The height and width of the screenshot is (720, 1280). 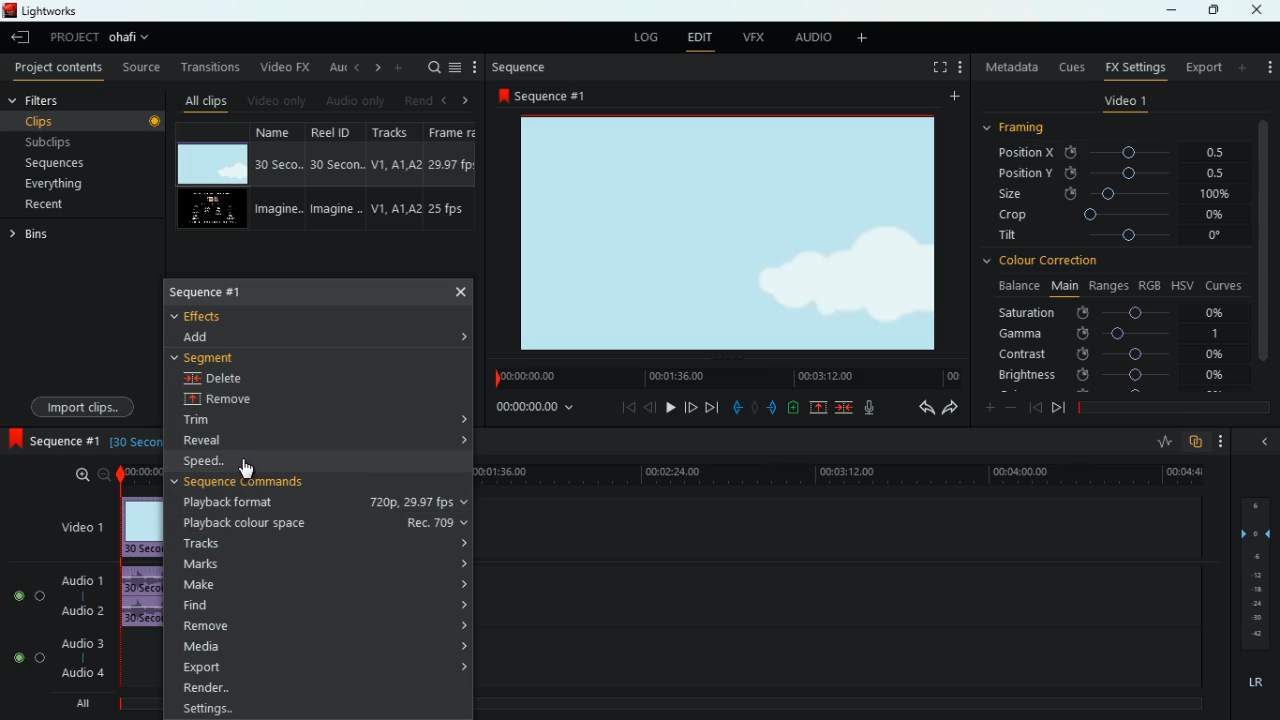 What do you see at coordinates (354, 67) in the screenshot?
I see `left` at bounding box center [354, 67].